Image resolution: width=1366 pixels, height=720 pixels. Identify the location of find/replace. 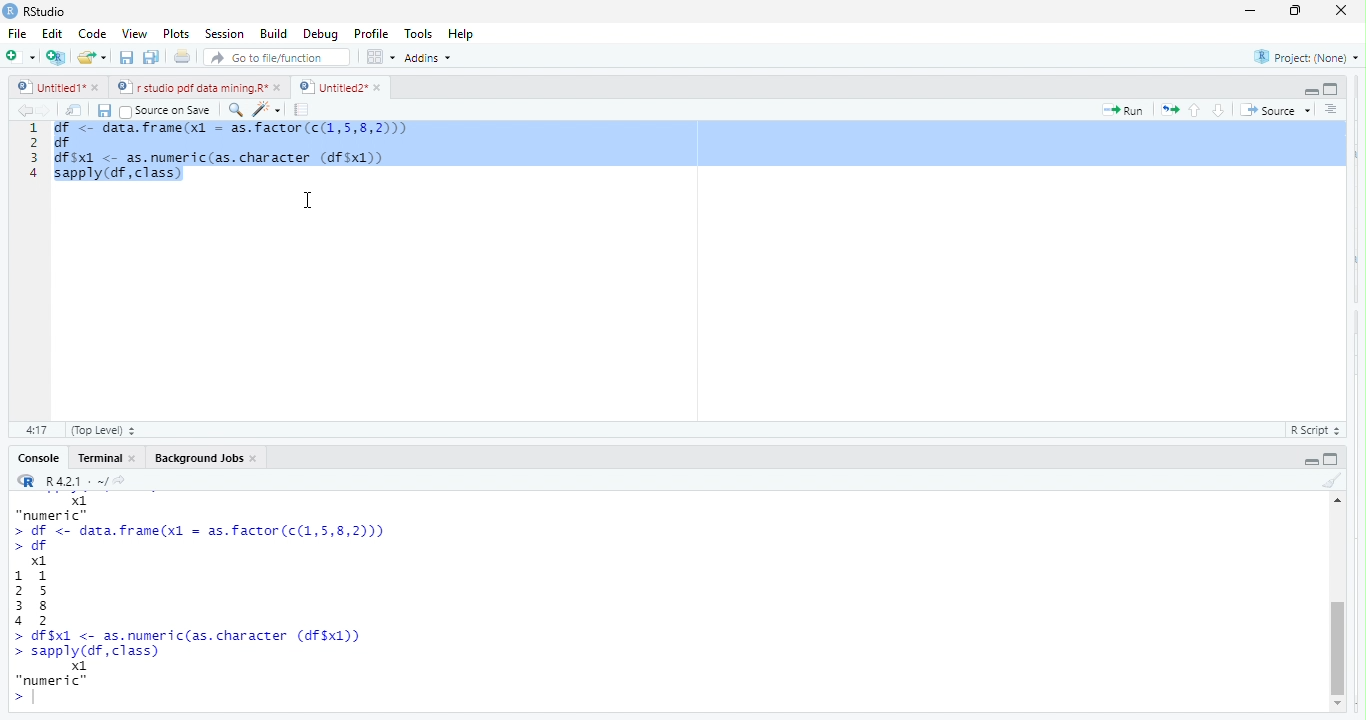
(238, 112).